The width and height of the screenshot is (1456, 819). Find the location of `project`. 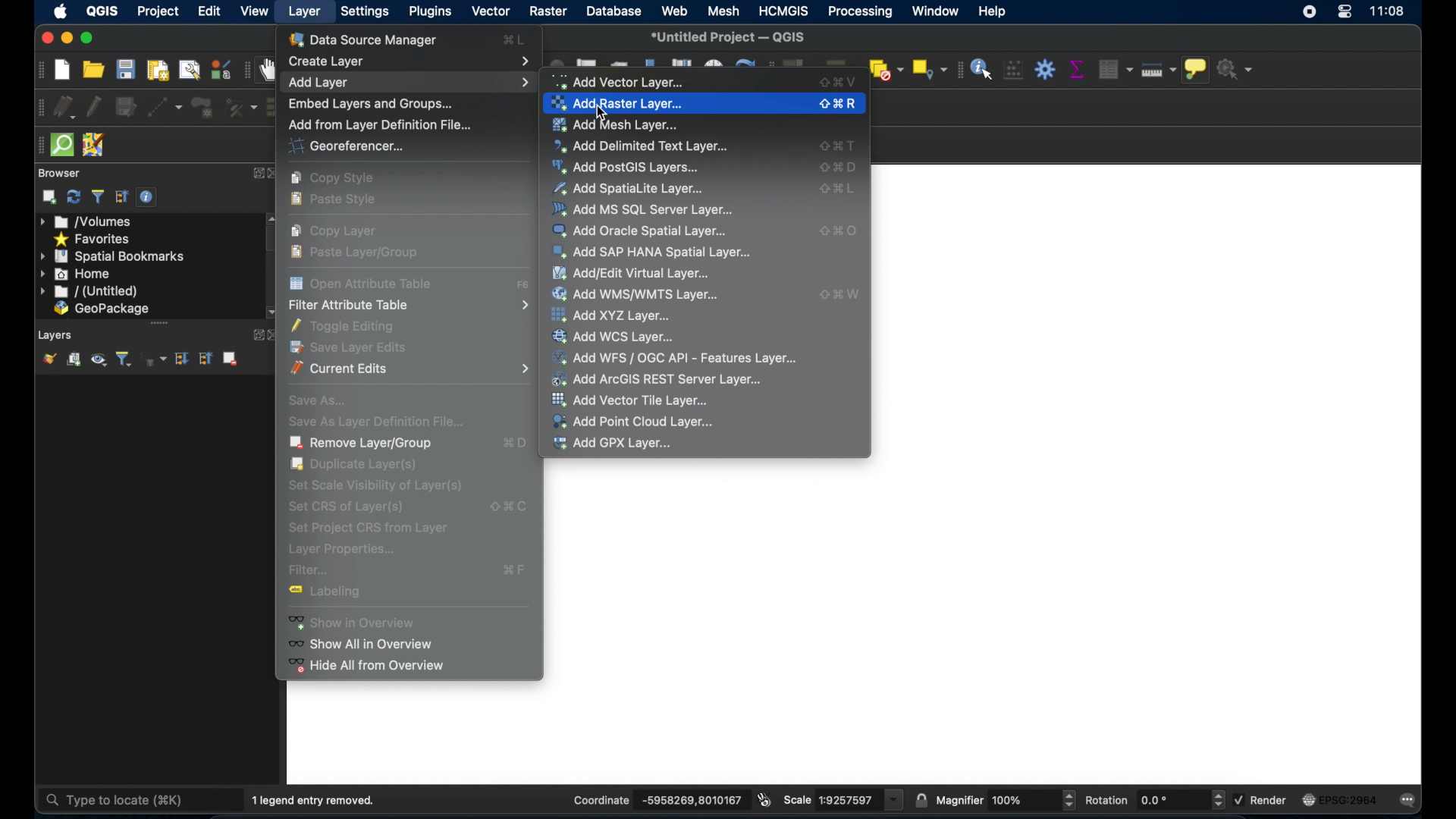

project is located at coordinates (158, 11).